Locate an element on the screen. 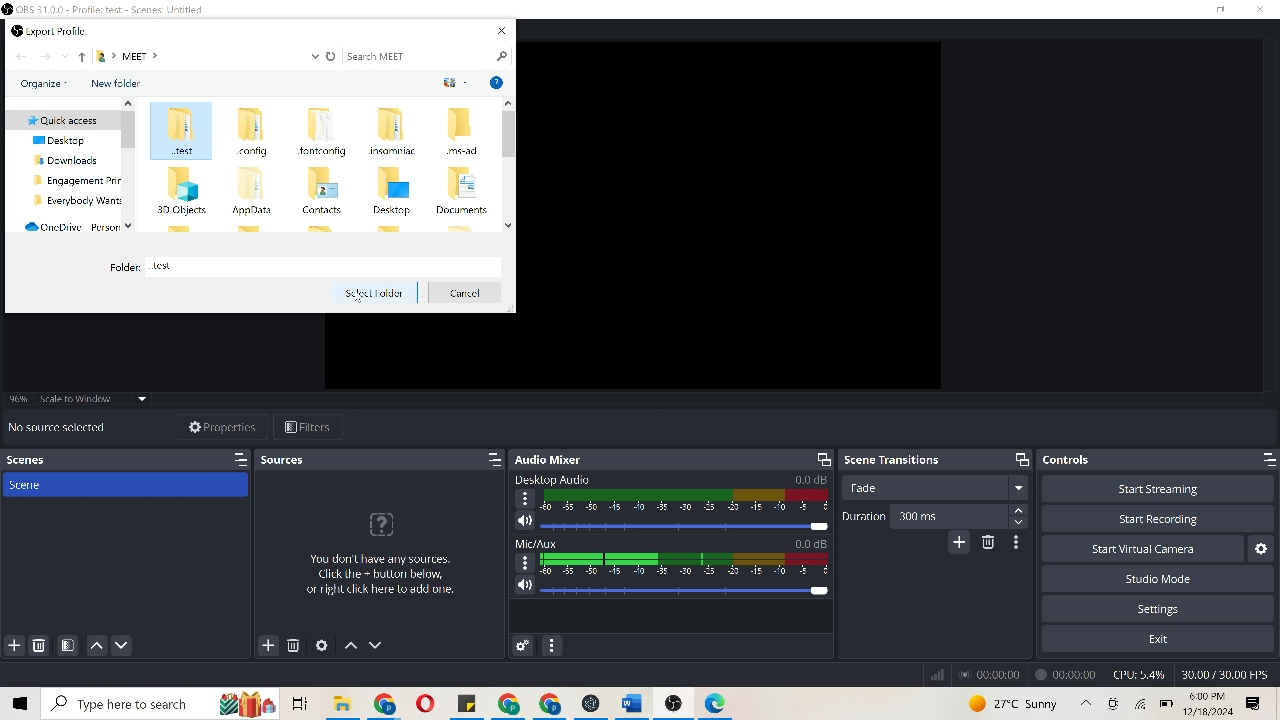 The image size is (1280, 720). search MEEt is located at coordinates (428, 54).